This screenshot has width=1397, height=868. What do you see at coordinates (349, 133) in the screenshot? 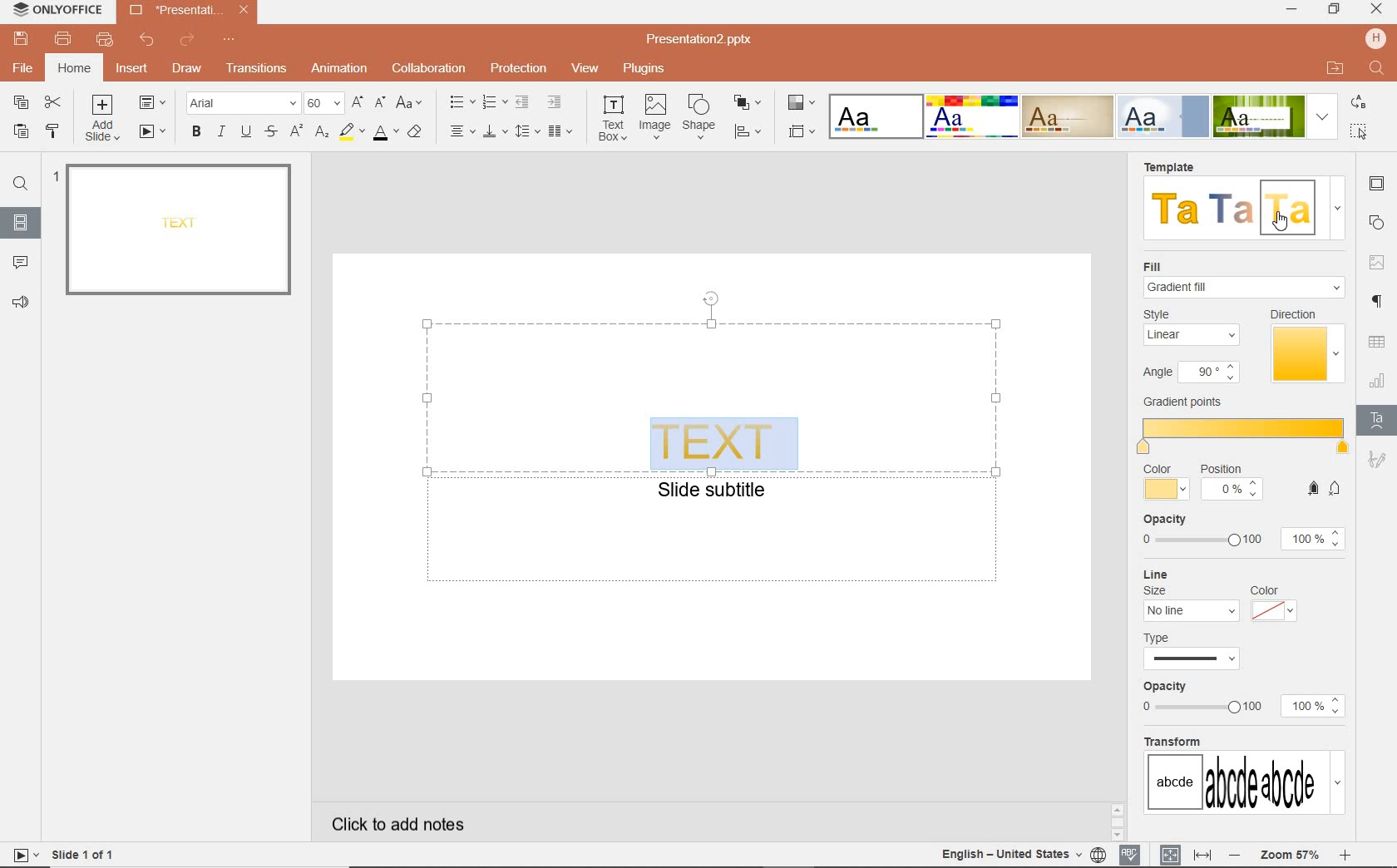
I see `HIGHLIGHT COLOR` at bounding box center [349, 133].